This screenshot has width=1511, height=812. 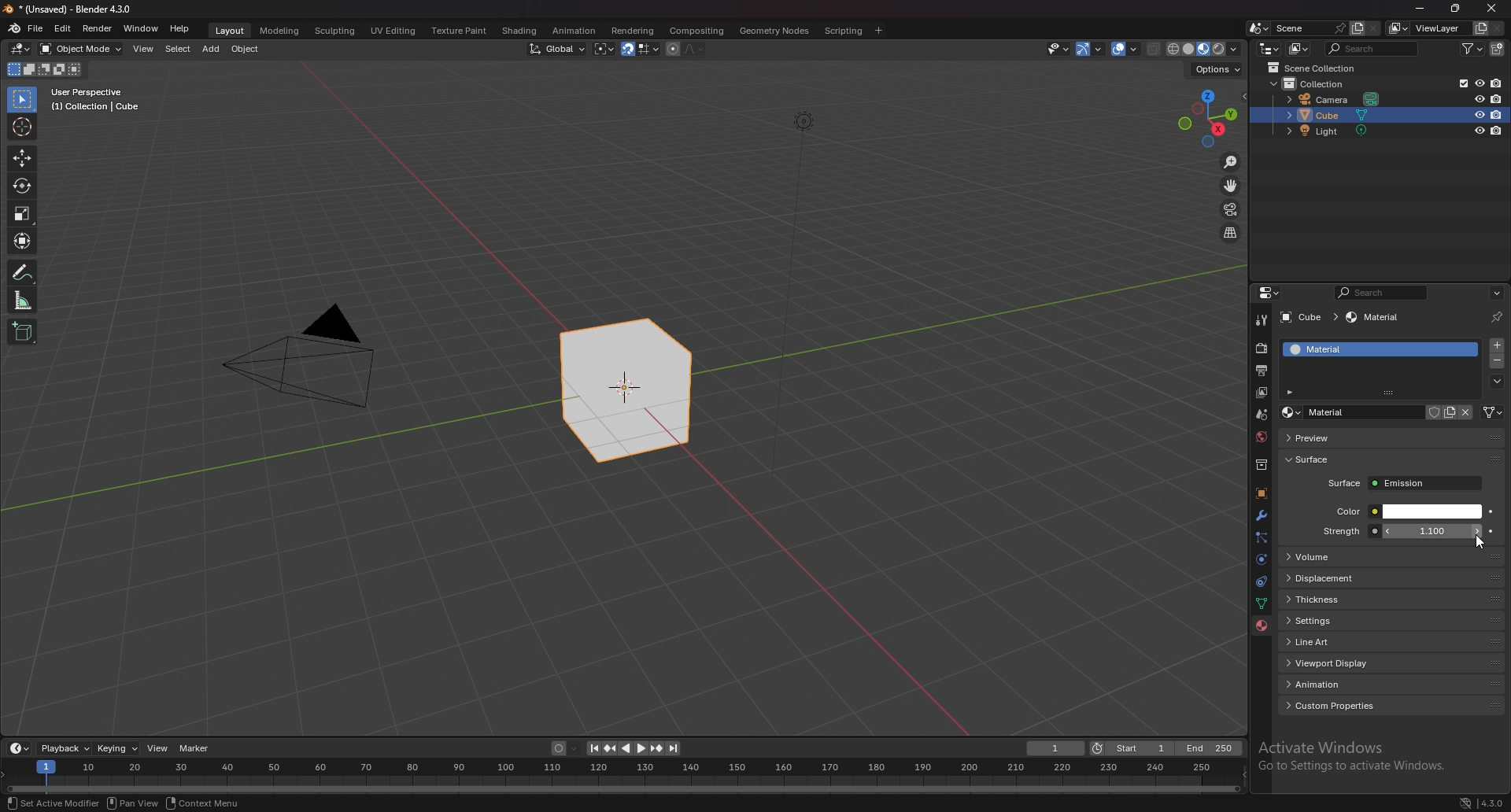 I want to click on viewport shading, so click(x=1202, y=49).